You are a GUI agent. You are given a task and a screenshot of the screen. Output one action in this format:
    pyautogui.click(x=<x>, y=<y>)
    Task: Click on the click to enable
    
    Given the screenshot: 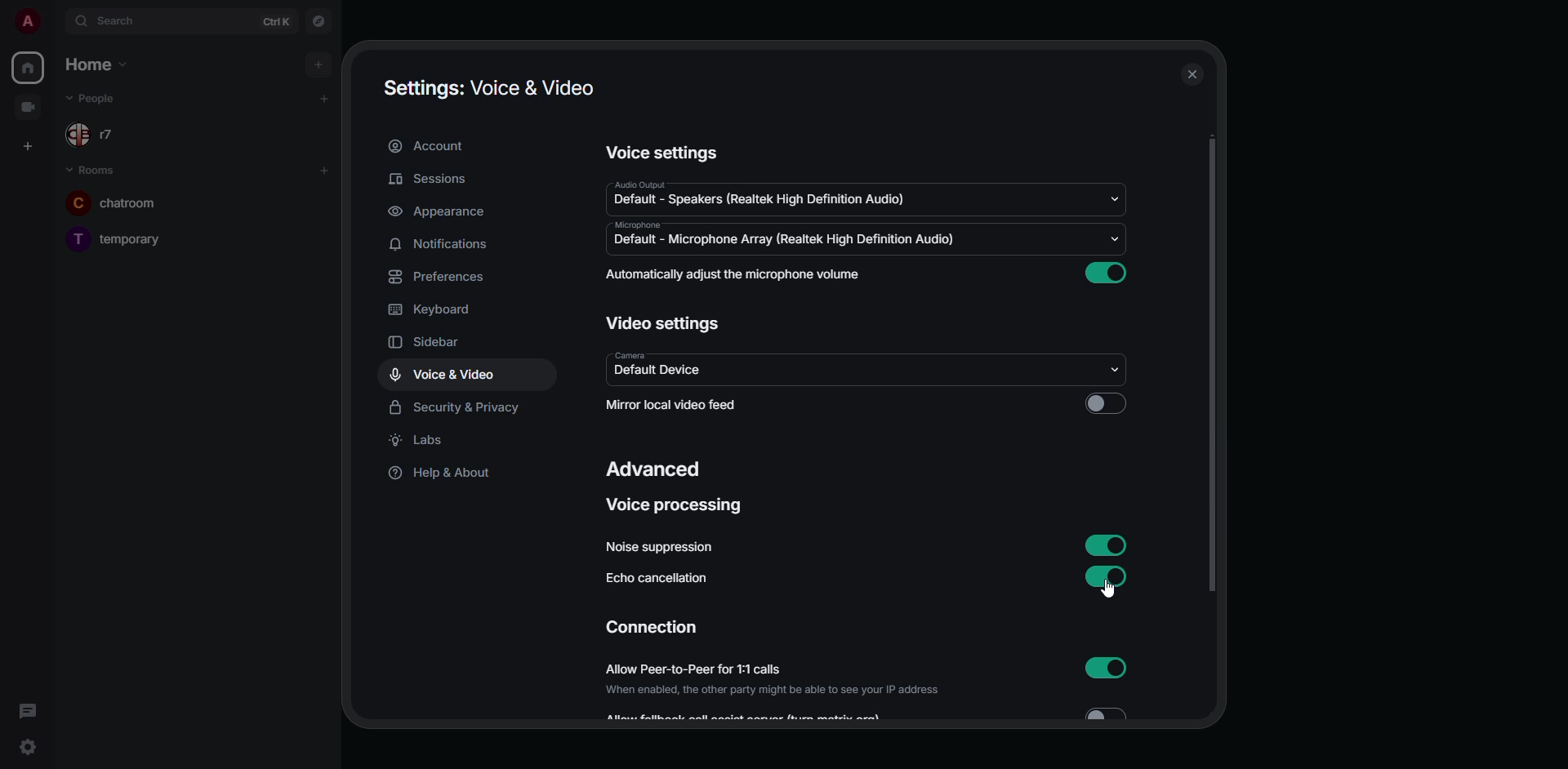 What is the action you would take?
    pyautogui.click(x=1106, y=402)
    